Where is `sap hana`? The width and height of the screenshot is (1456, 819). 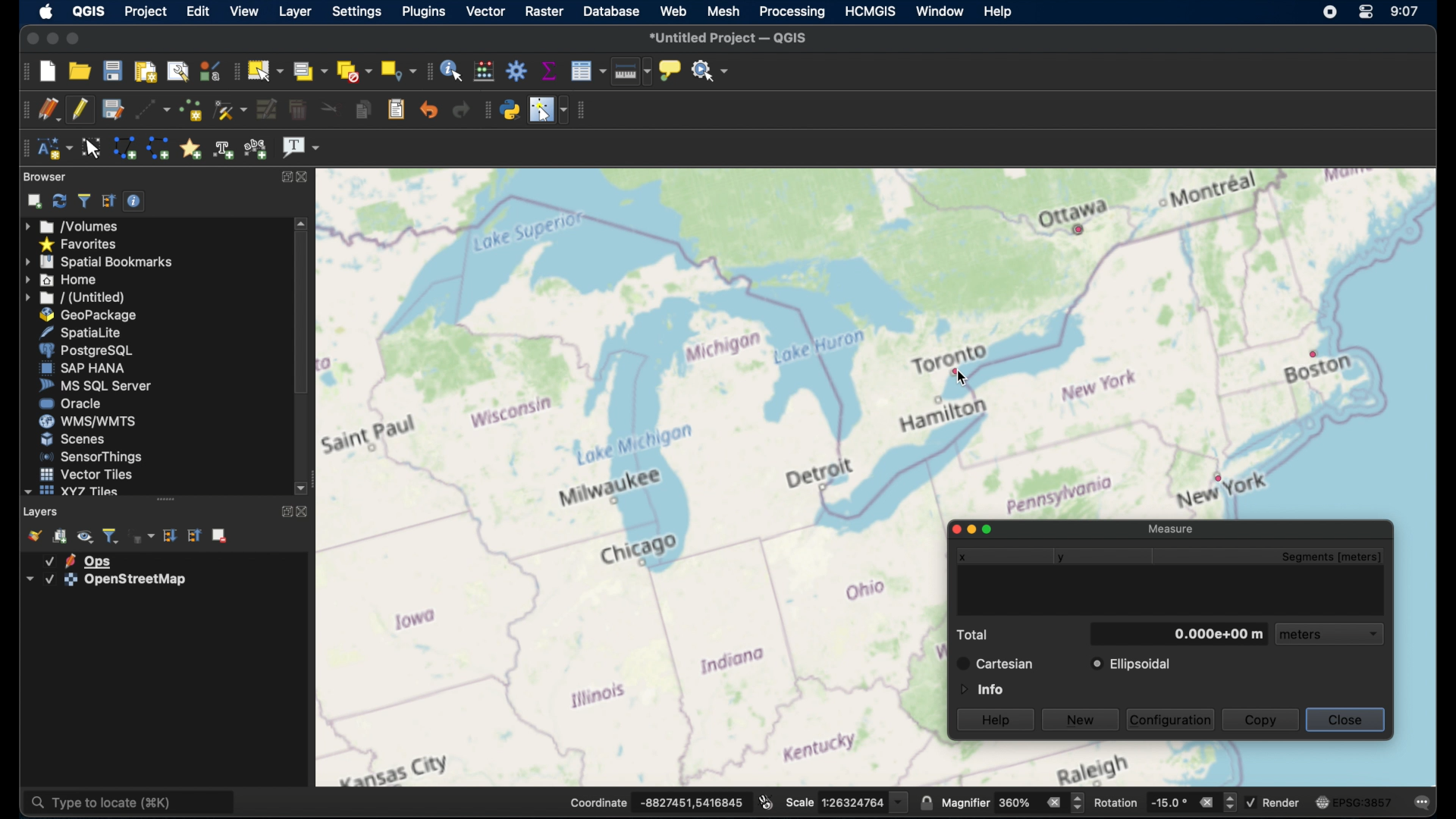 sap hana is located at coordinates (83, 369).